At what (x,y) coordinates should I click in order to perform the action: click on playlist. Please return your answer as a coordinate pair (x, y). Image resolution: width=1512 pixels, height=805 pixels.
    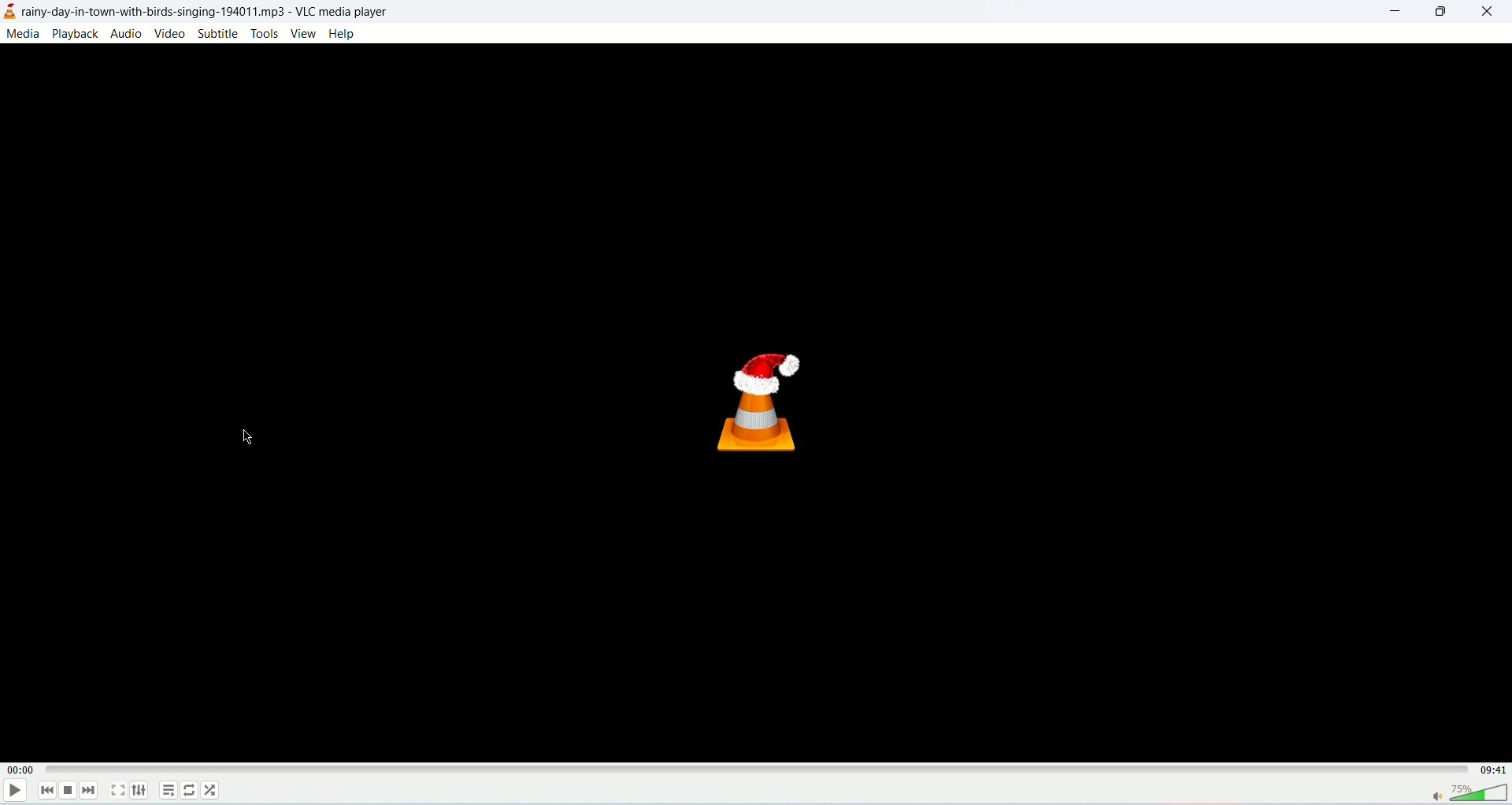
    Looking at the image, I should click on (168, 790).